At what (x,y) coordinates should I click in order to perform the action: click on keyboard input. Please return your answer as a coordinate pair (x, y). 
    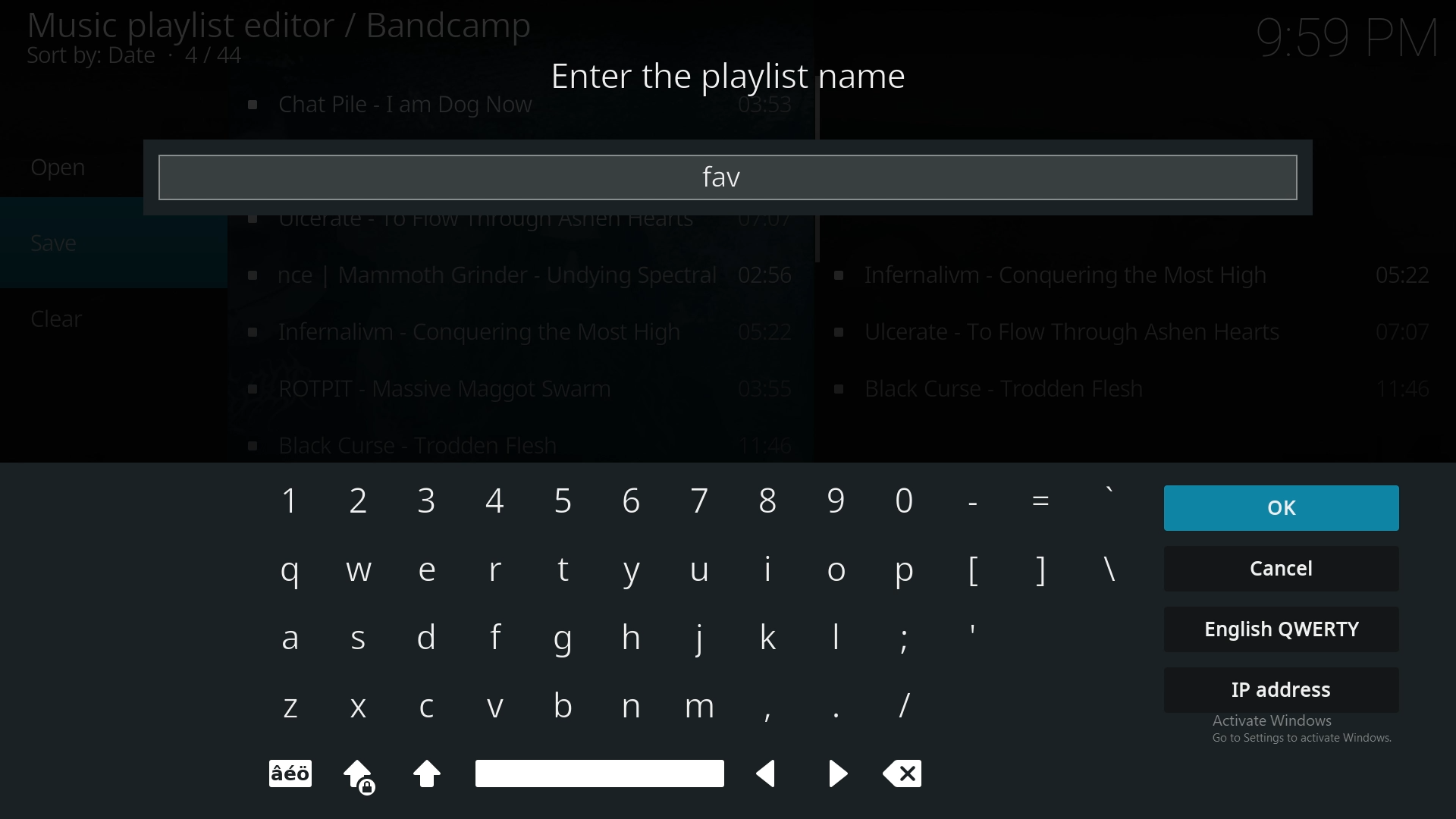
    Looking at the image, I should click on (1042, 567).